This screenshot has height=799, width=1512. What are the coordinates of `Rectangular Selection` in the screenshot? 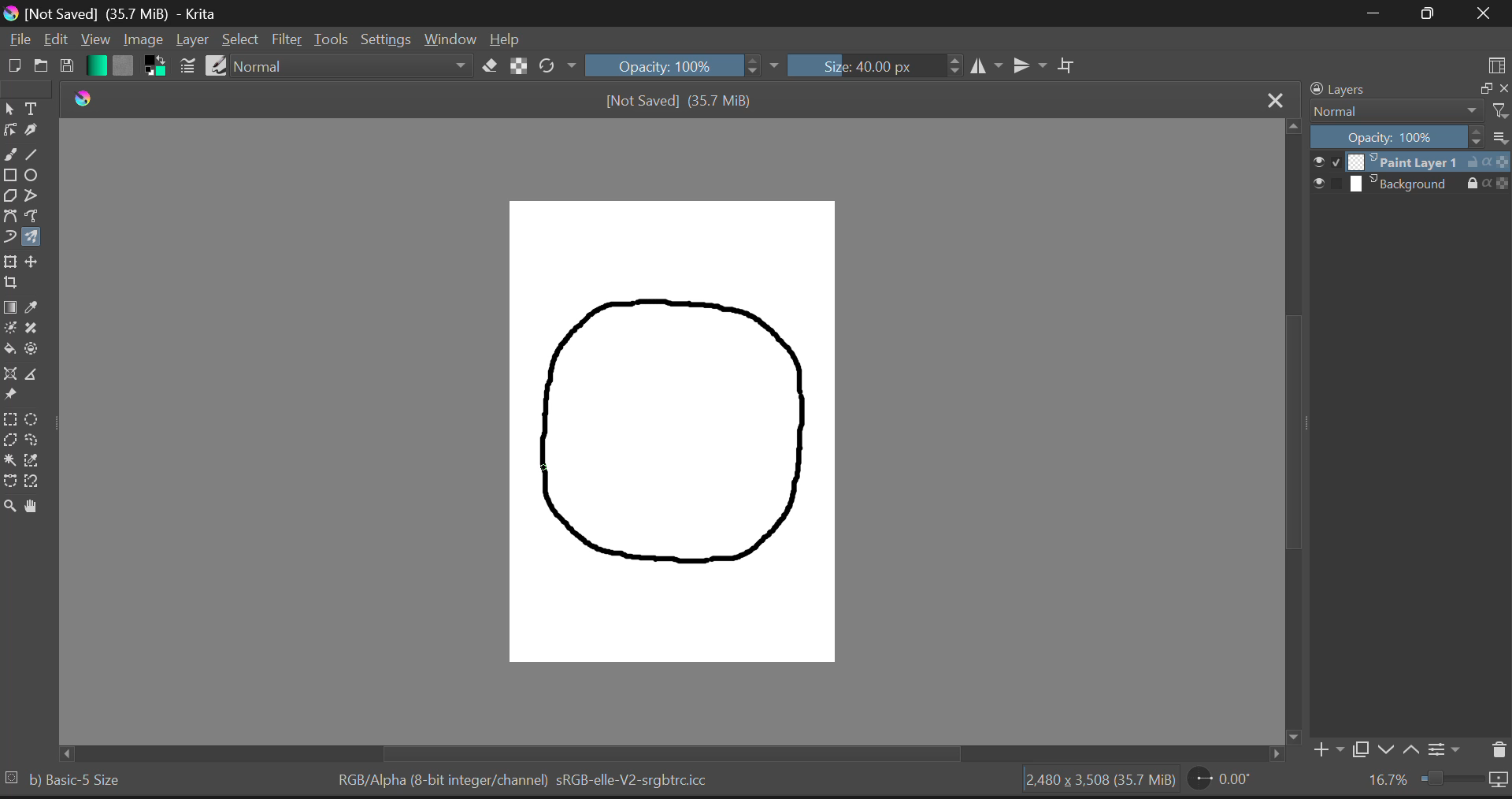 It's located at (13, 420).